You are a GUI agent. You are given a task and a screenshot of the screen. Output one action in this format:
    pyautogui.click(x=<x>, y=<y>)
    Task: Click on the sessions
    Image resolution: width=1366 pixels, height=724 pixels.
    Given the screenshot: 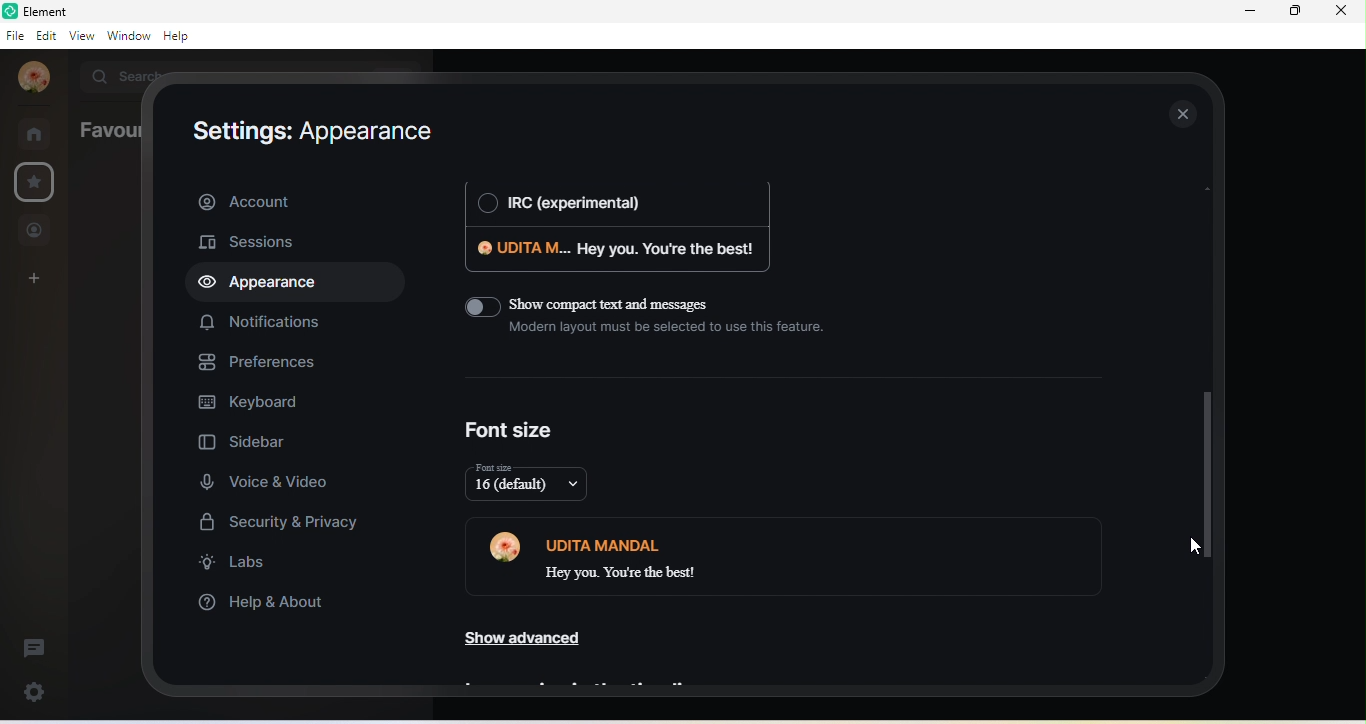 What is the action you would take?
    pyautogui.click(x=250, y=243)
    